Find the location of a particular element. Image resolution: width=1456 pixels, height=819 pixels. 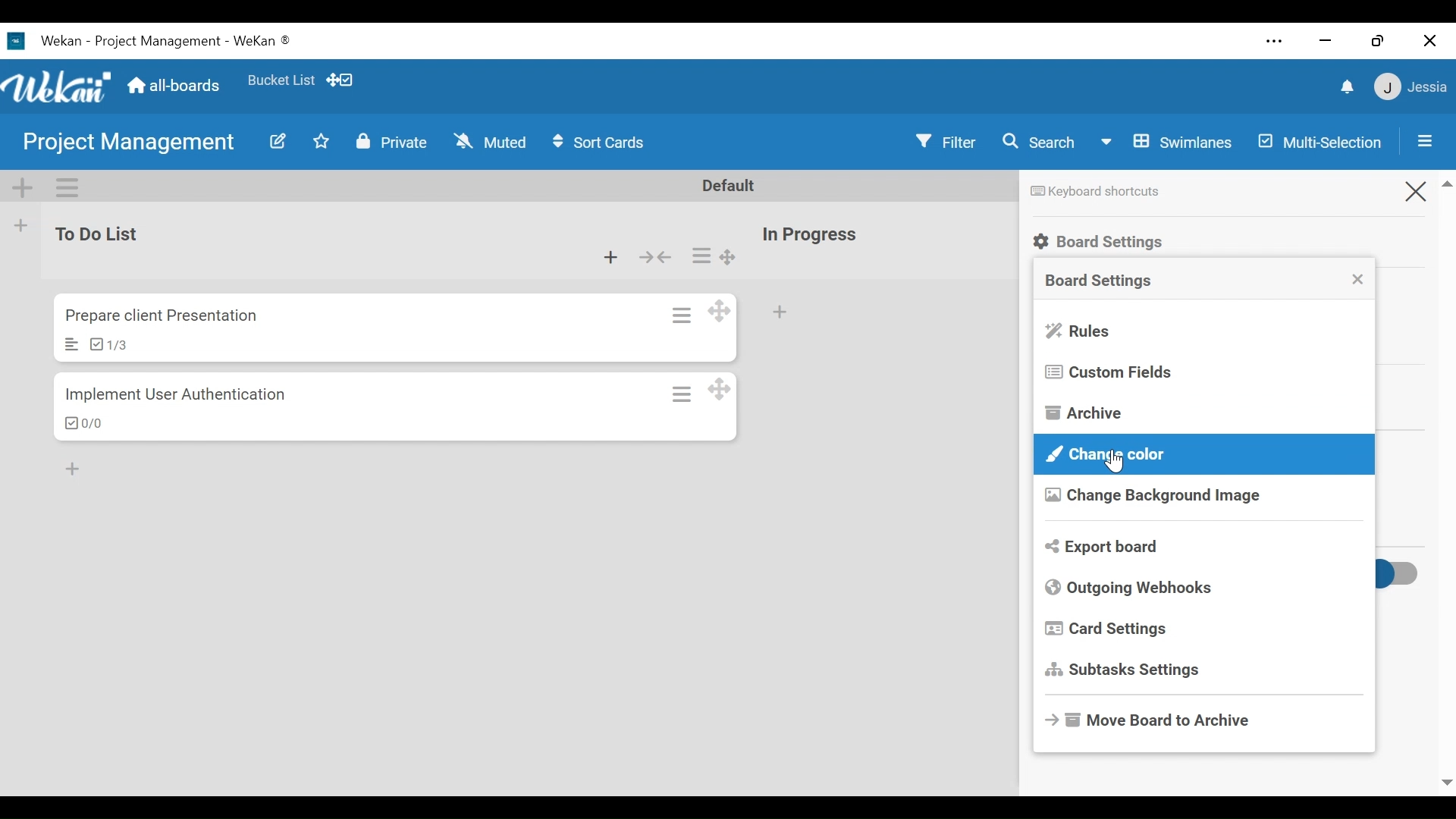

Toggle show/hide is located at coordinates (1393, 576).